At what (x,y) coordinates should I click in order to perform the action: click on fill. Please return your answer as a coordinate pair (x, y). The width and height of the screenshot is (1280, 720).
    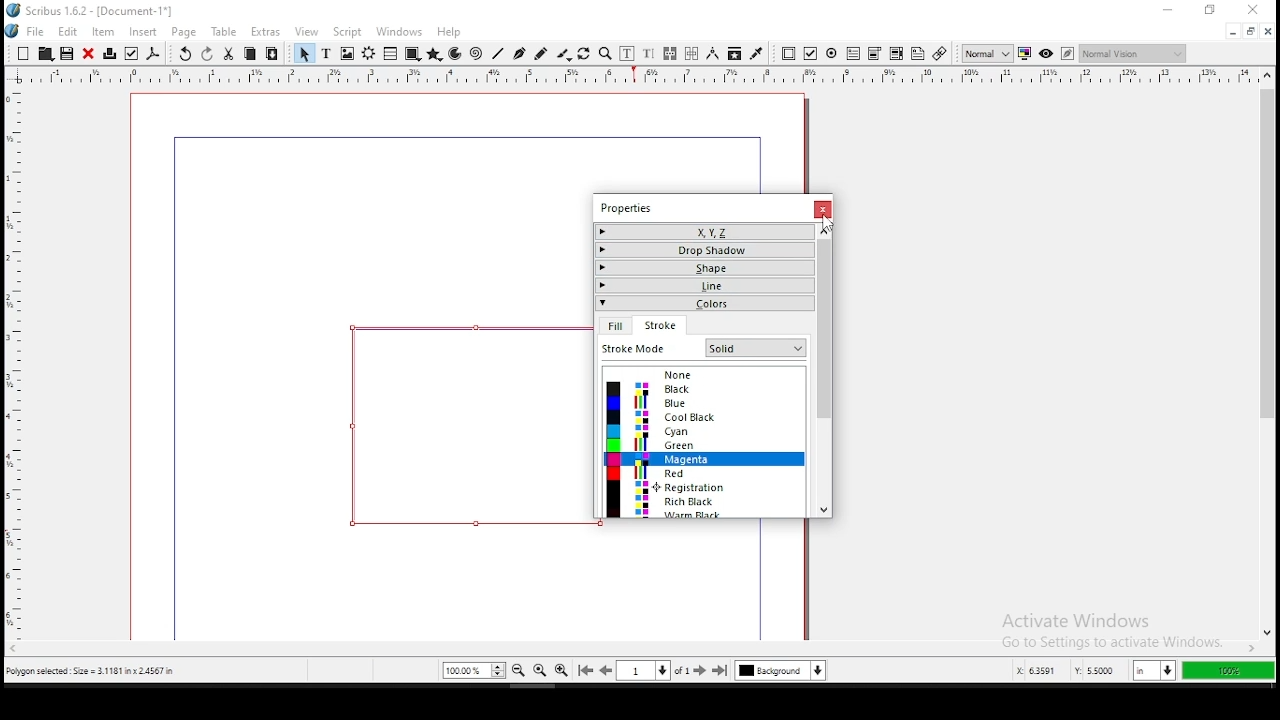
    Looking at the image, I should click on (615, 327).